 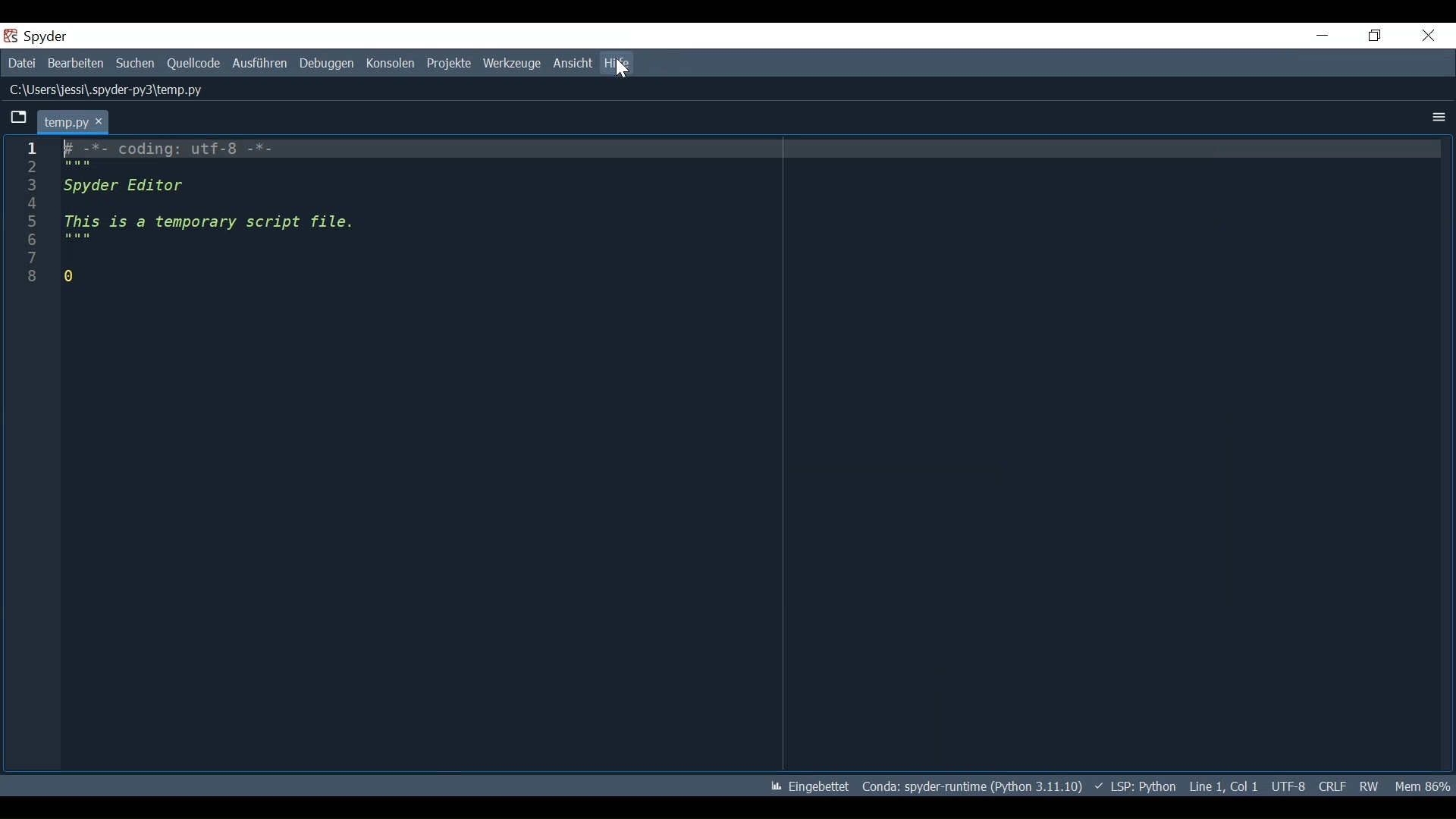 I want to click on Consoles, so click(x=392, y=63).